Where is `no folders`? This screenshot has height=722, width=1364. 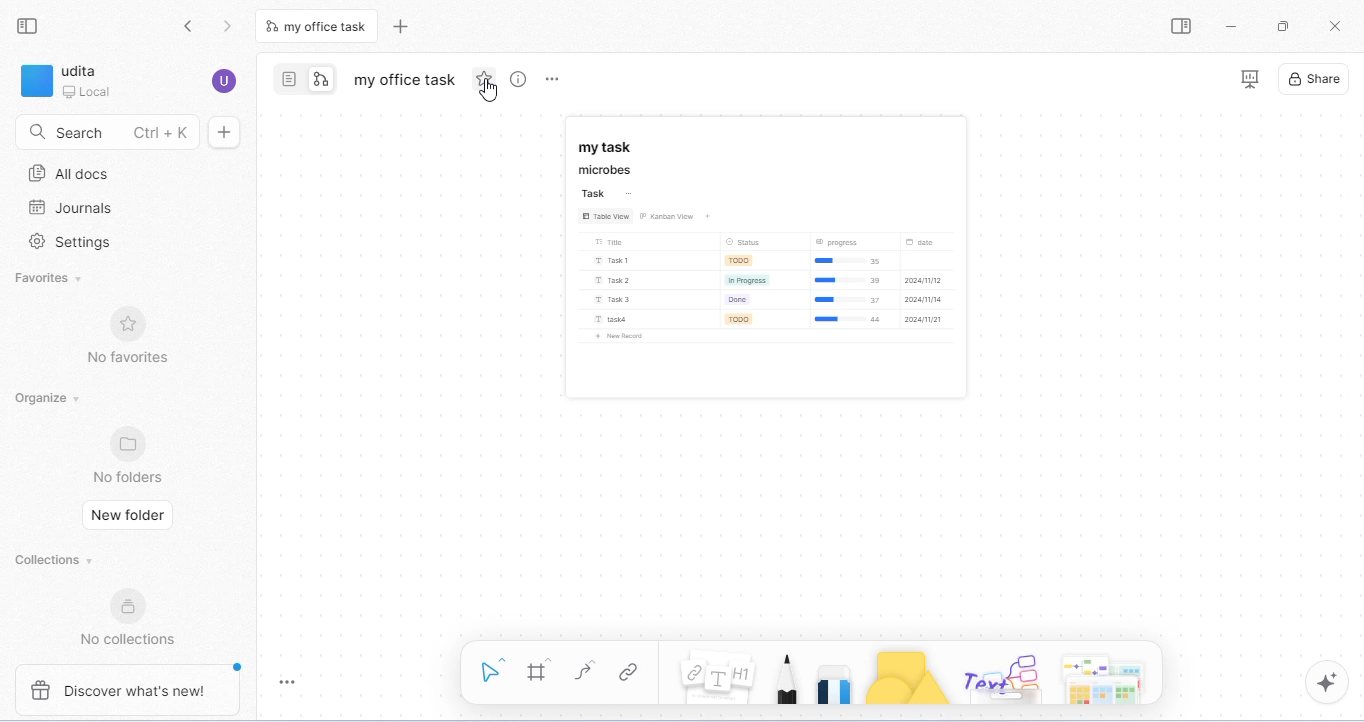 no folders is located at coordinates (133, 455).